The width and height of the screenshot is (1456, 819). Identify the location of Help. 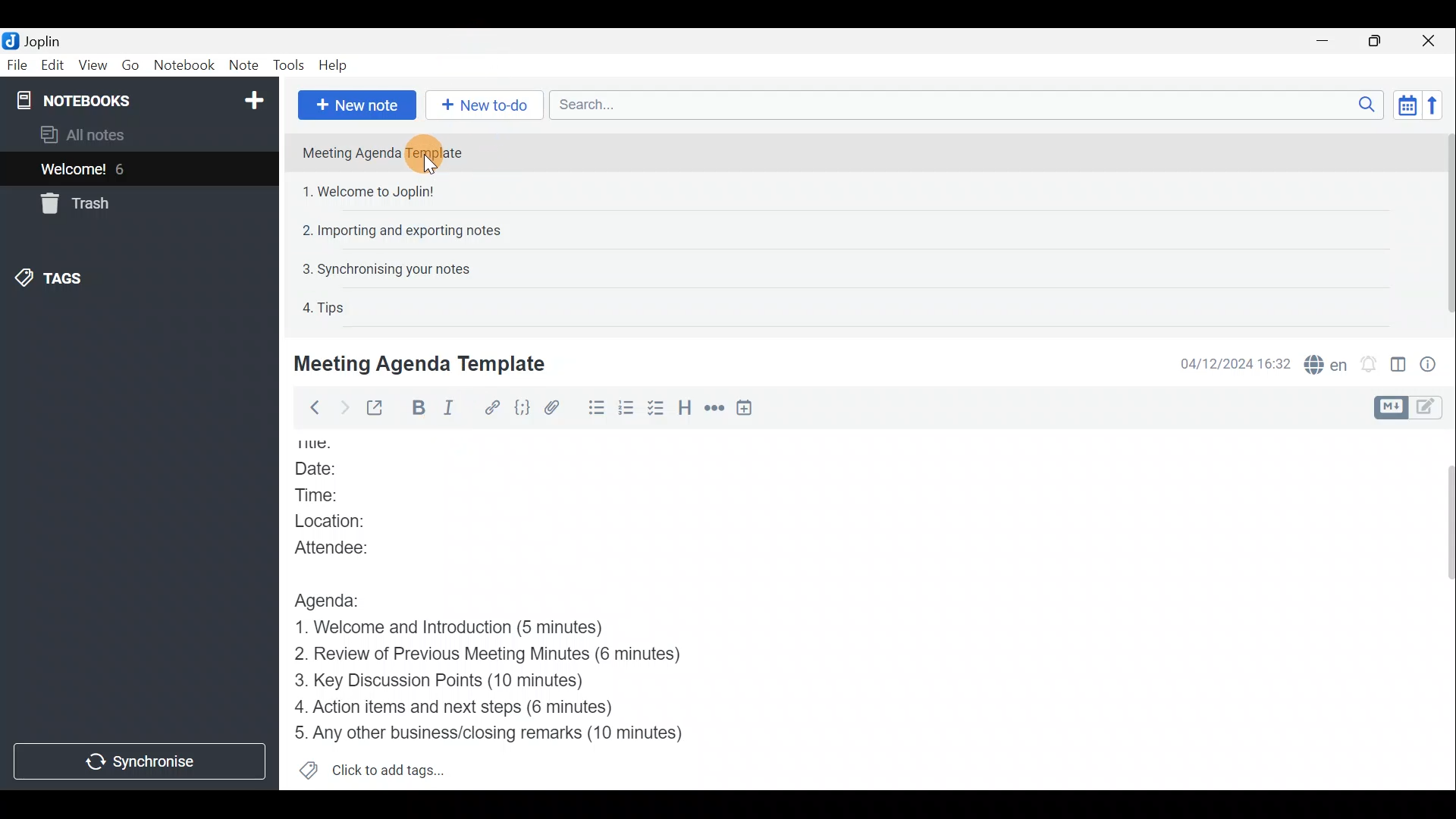
(336, 65).